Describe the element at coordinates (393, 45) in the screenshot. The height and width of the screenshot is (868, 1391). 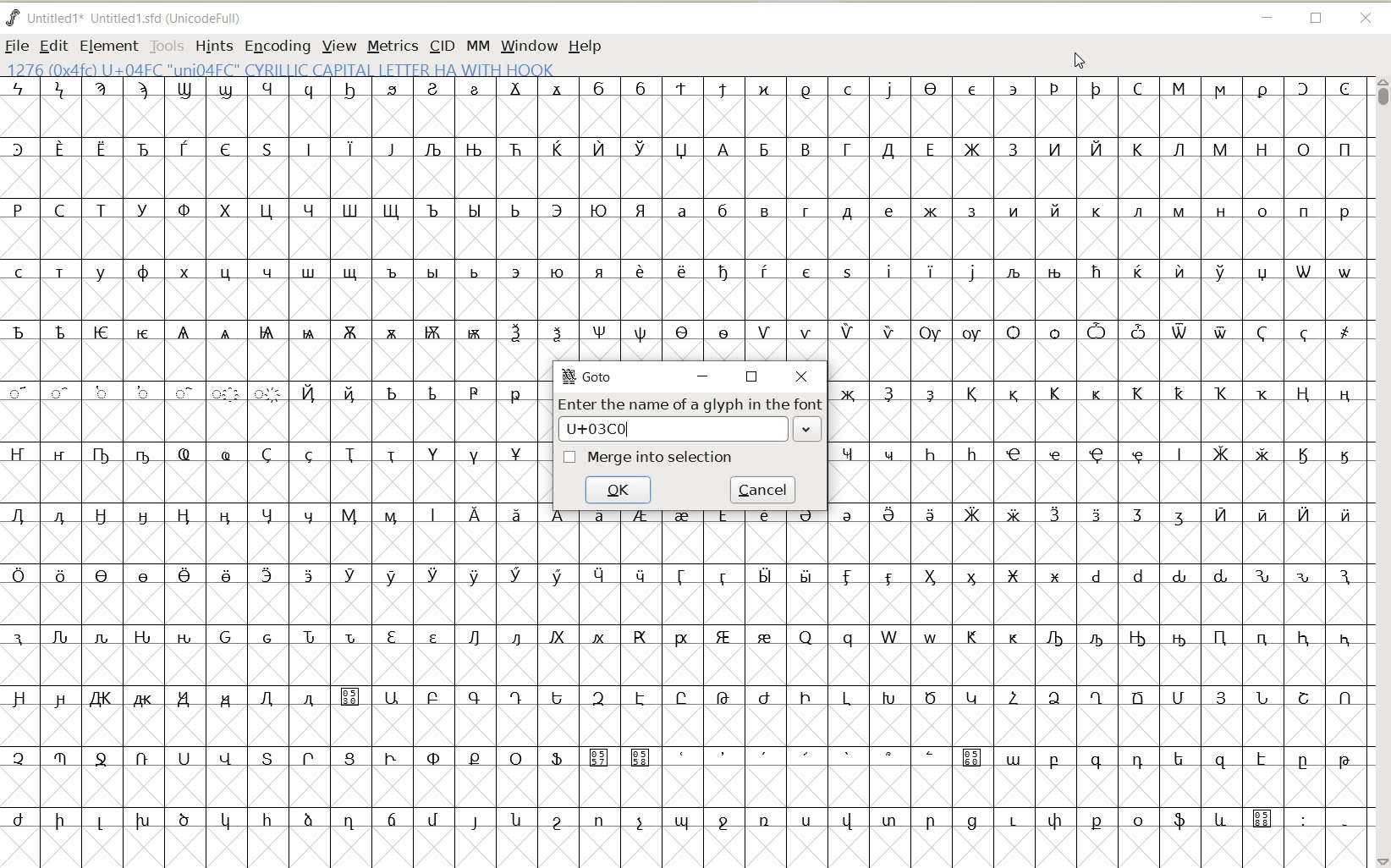
I see `METRICS` at that location.